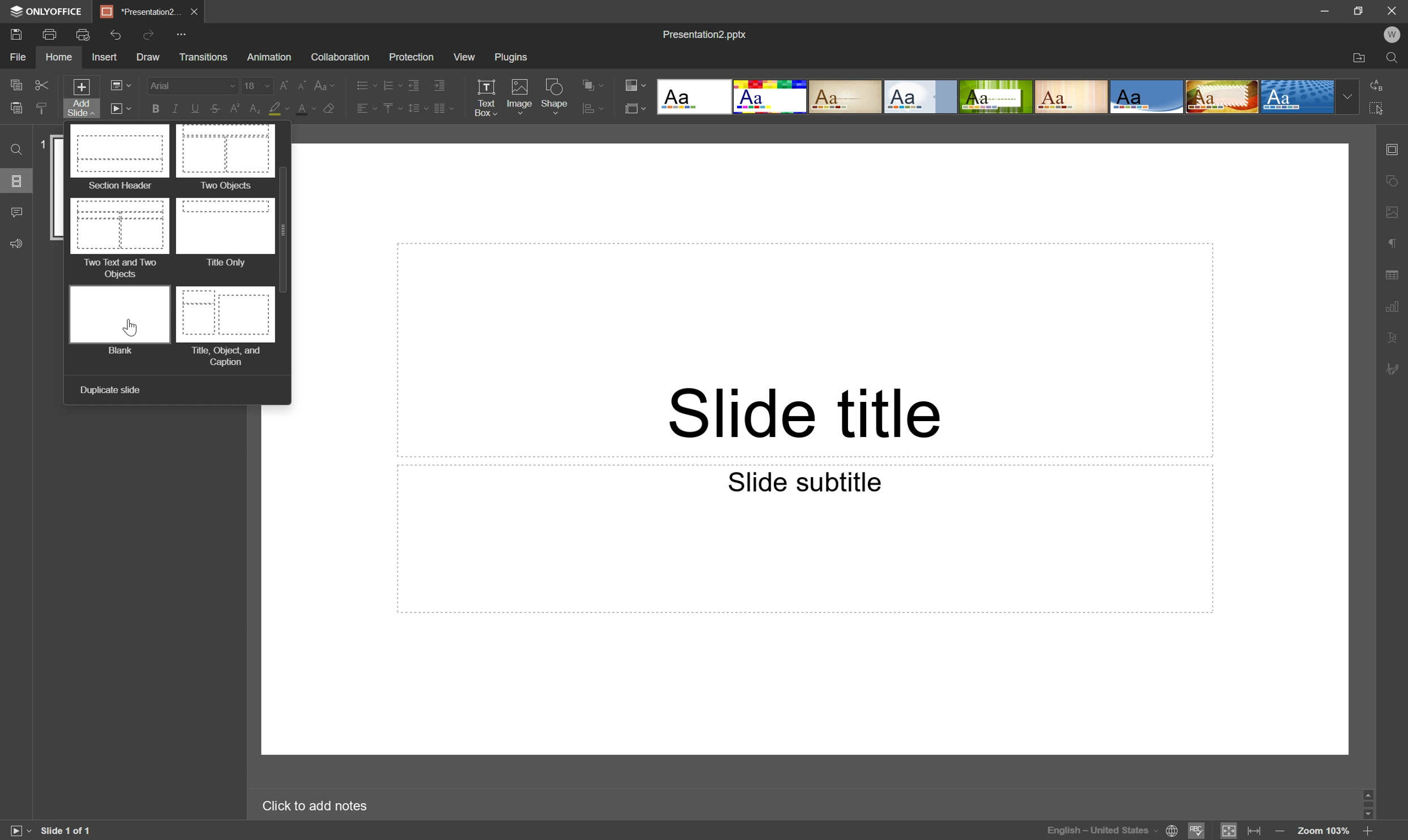 Image resolution: width=1408 pixels, height=840 pixels. I want to click on Transitions, so click(203, 58).